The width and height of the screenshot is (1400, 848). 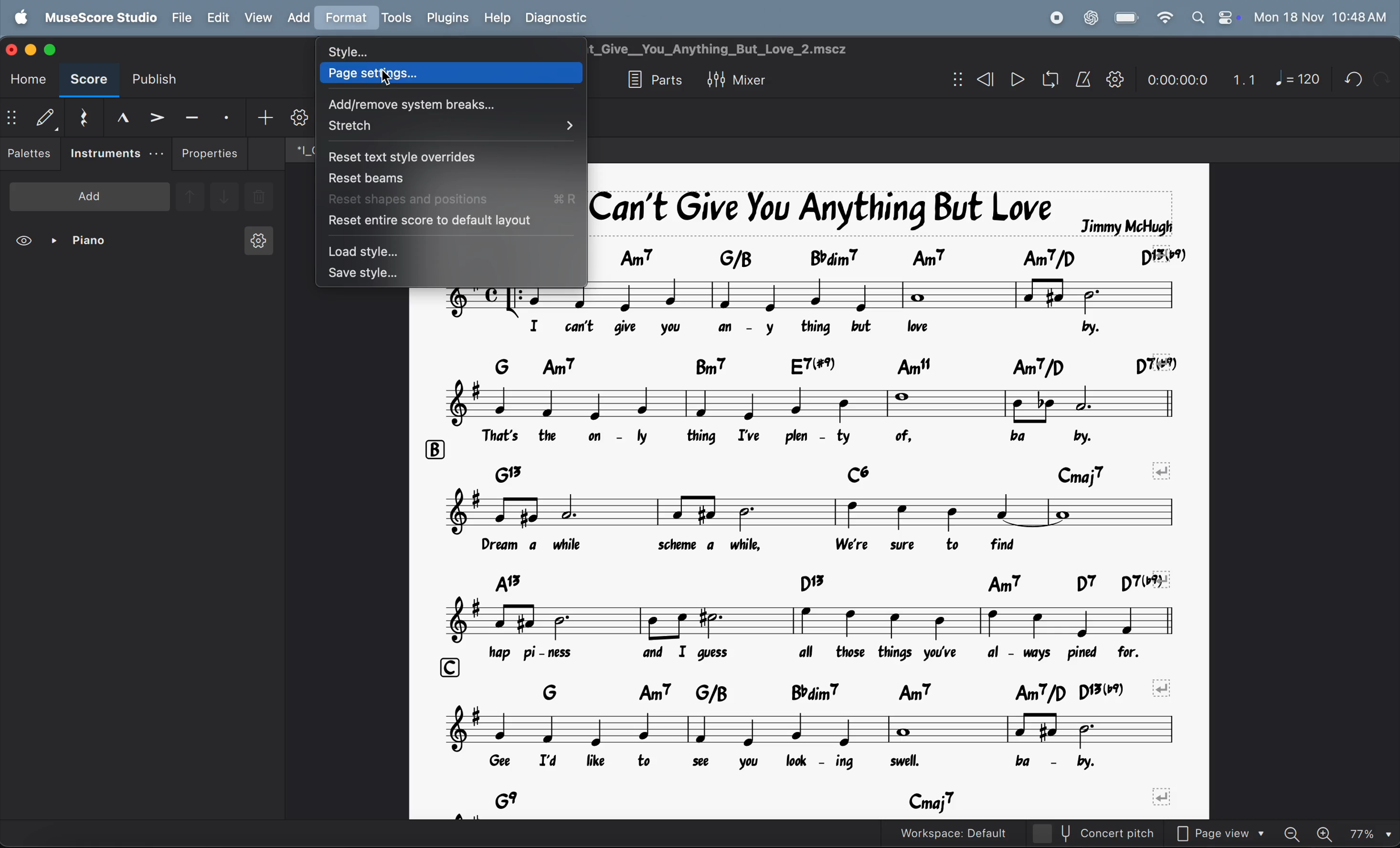 I want to click on reset shapes and position, so click(x=453, y=198).